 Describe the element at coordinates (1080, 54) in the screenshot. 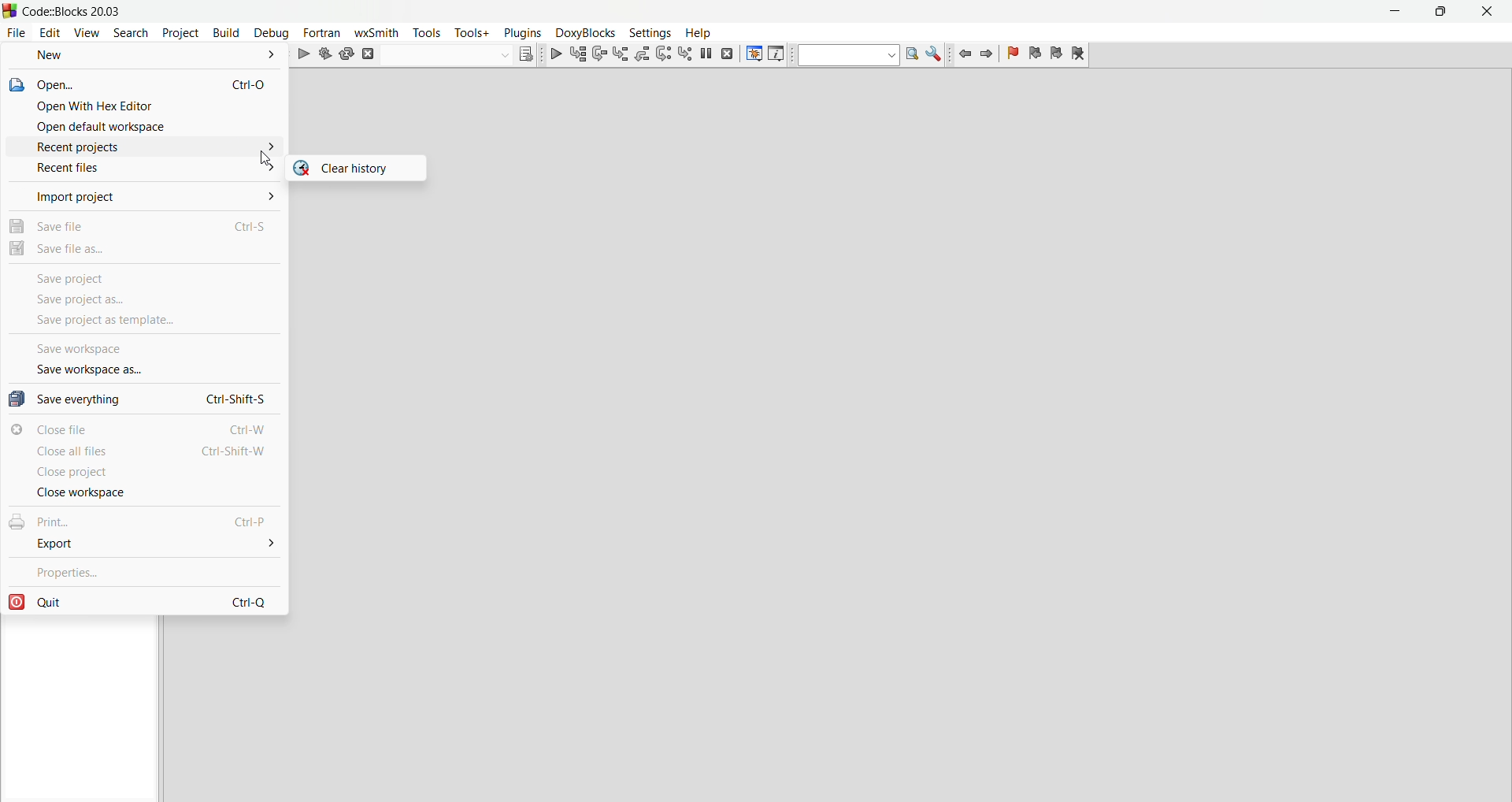

I see `clear bookmark` at that location.